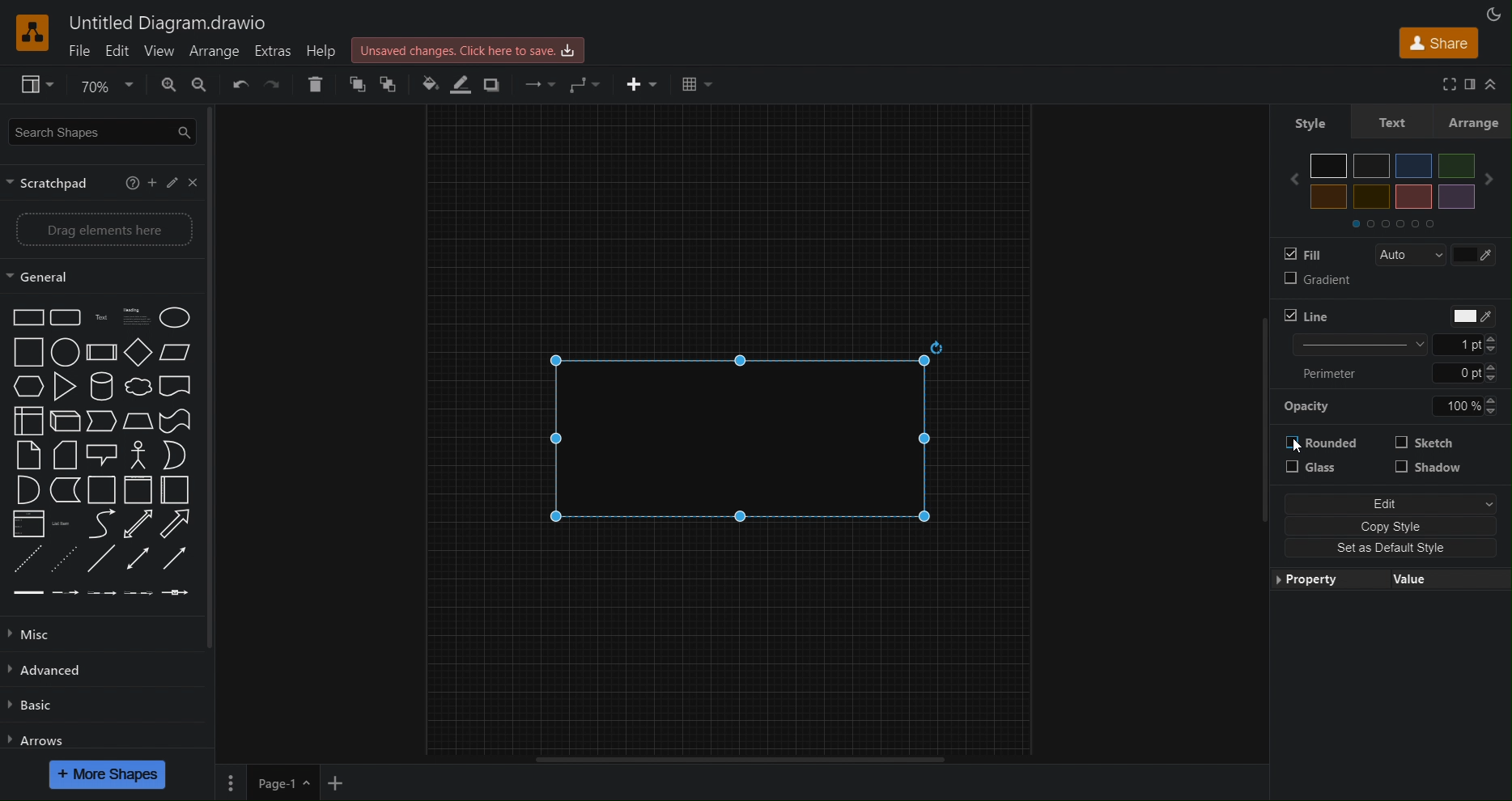 The width and height of the screenshot is (1512, 801). I want to click on Unsaved Changes. Click here to save, so click(470, 49).